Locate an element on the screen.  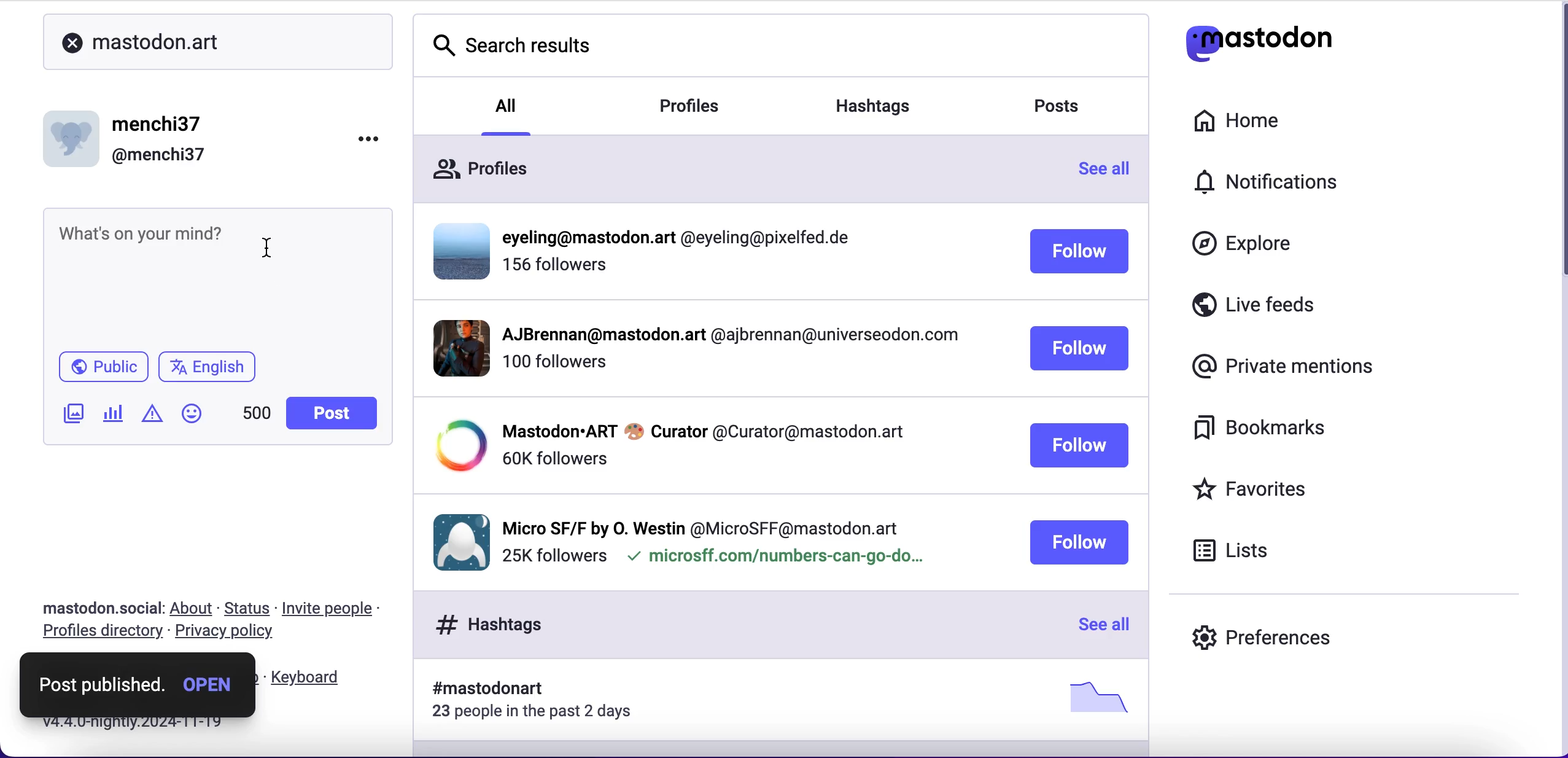
lists is located at coordinates (1241, 554).